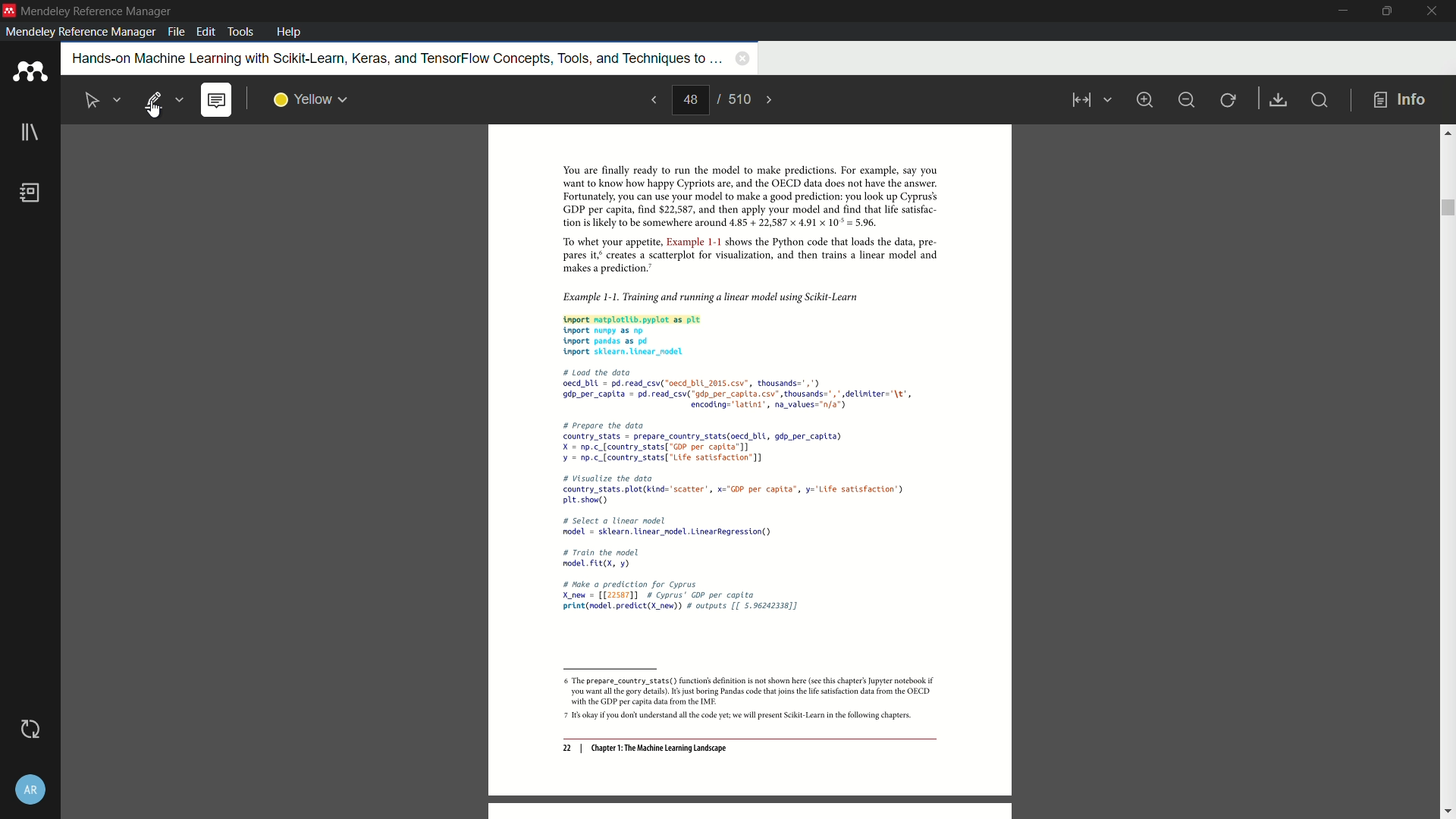 The height and width of the screenshot is (819, 1456). Describe the element at coordinates (1345, 11) in the screenshot. I see `minimize` at that location.